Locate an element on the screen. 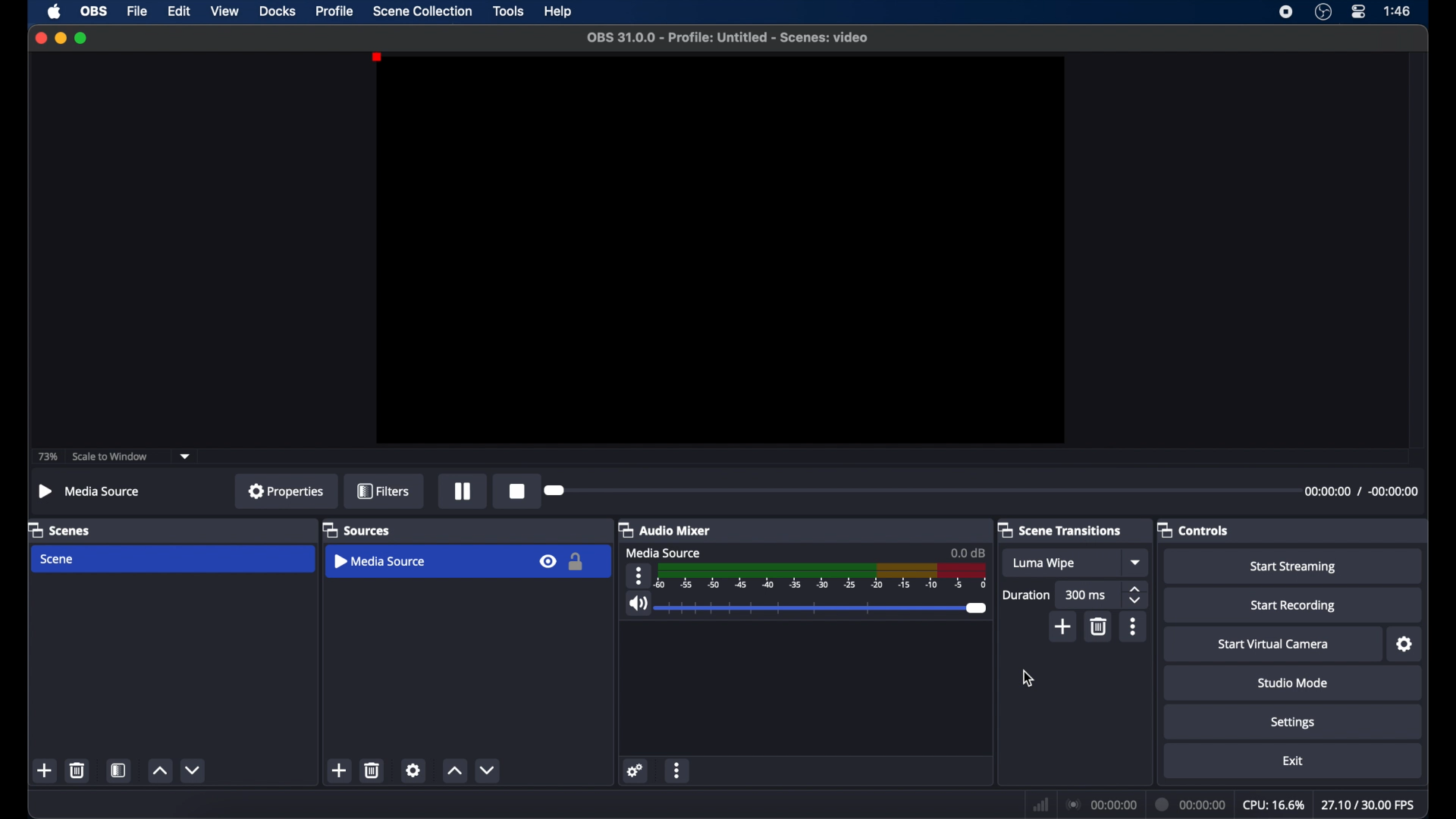 Image resolution: width=1456 pixels, height=819 pixels. delete is located at coordinates (1100, 626).